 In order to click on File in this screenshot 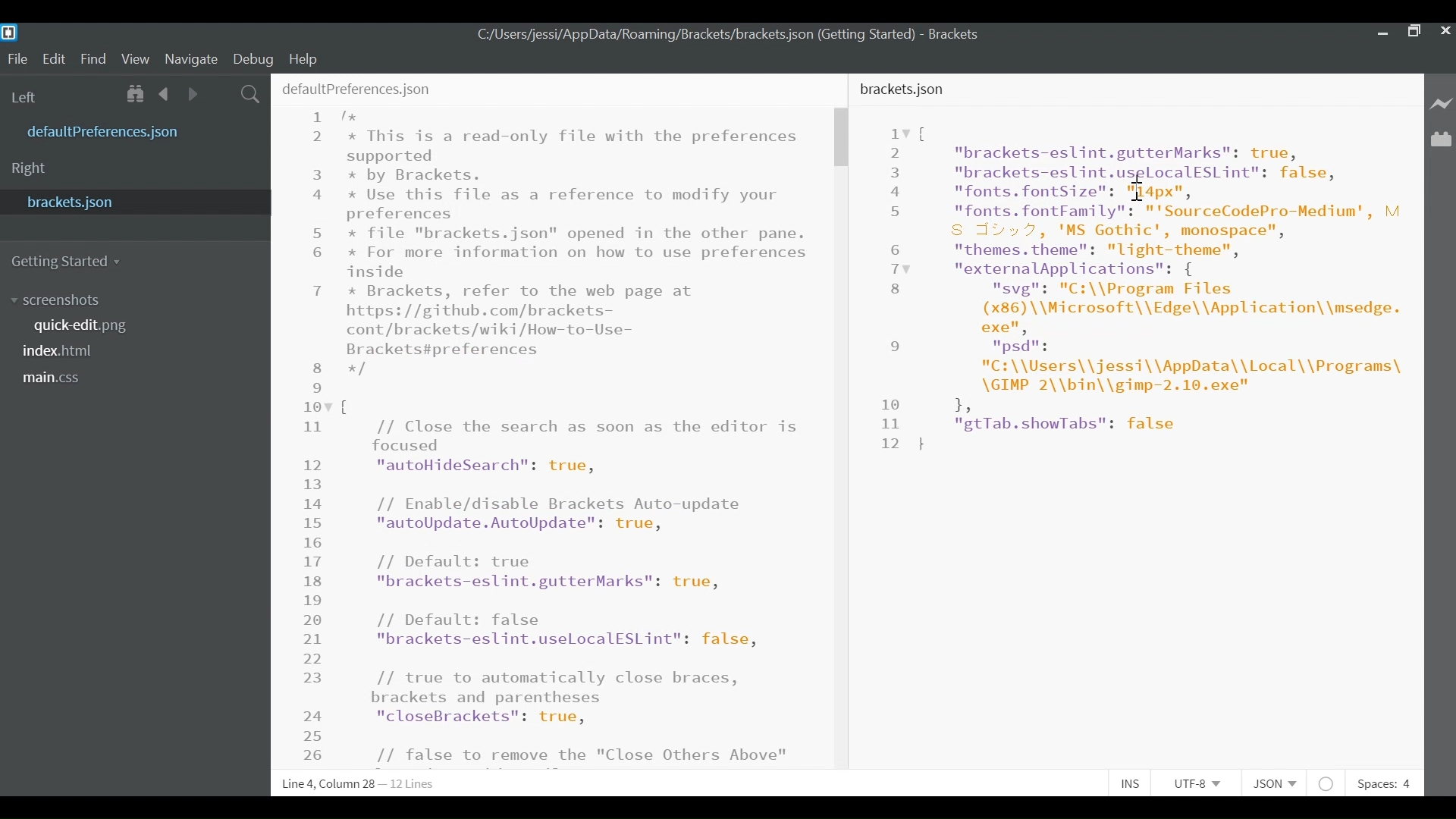, I will do `click(17, 59)`.